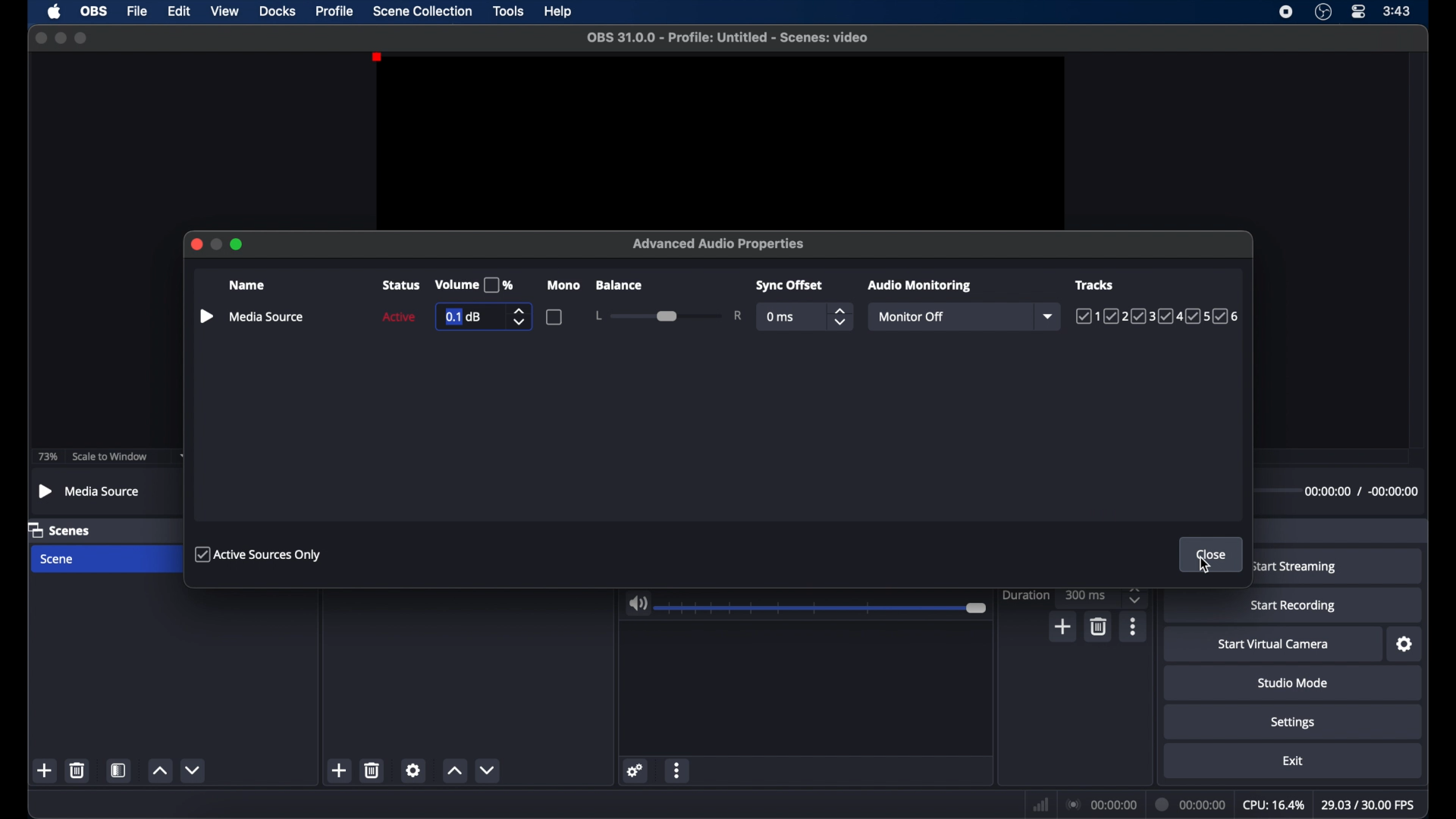 The image size is (1456, 819). What do you see at coordinates (1100, 627) in the screenshot?
I see `delete` at bounding box center [1100, 627].